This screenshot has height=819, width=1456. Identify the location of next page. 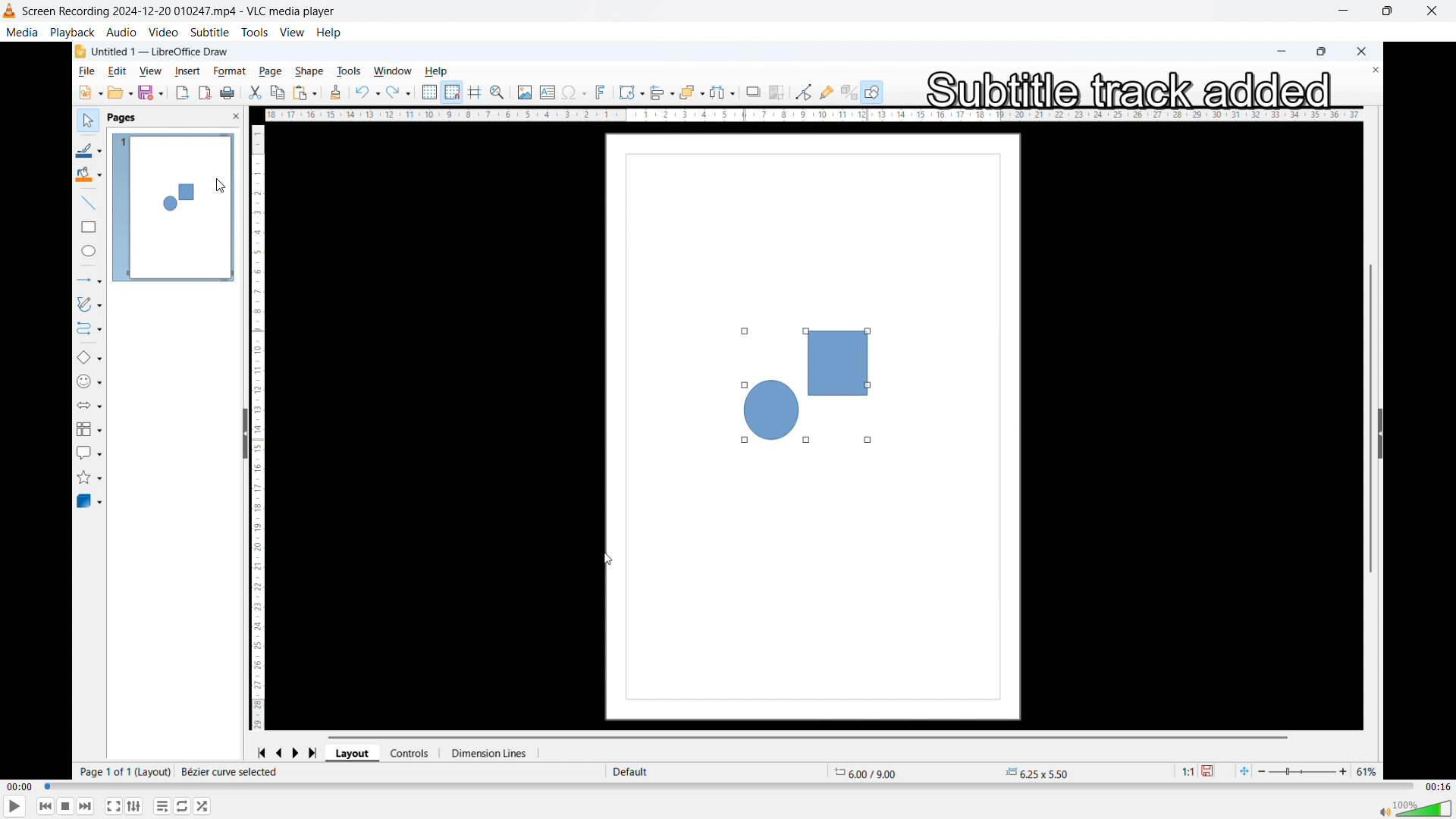
(301, 751).